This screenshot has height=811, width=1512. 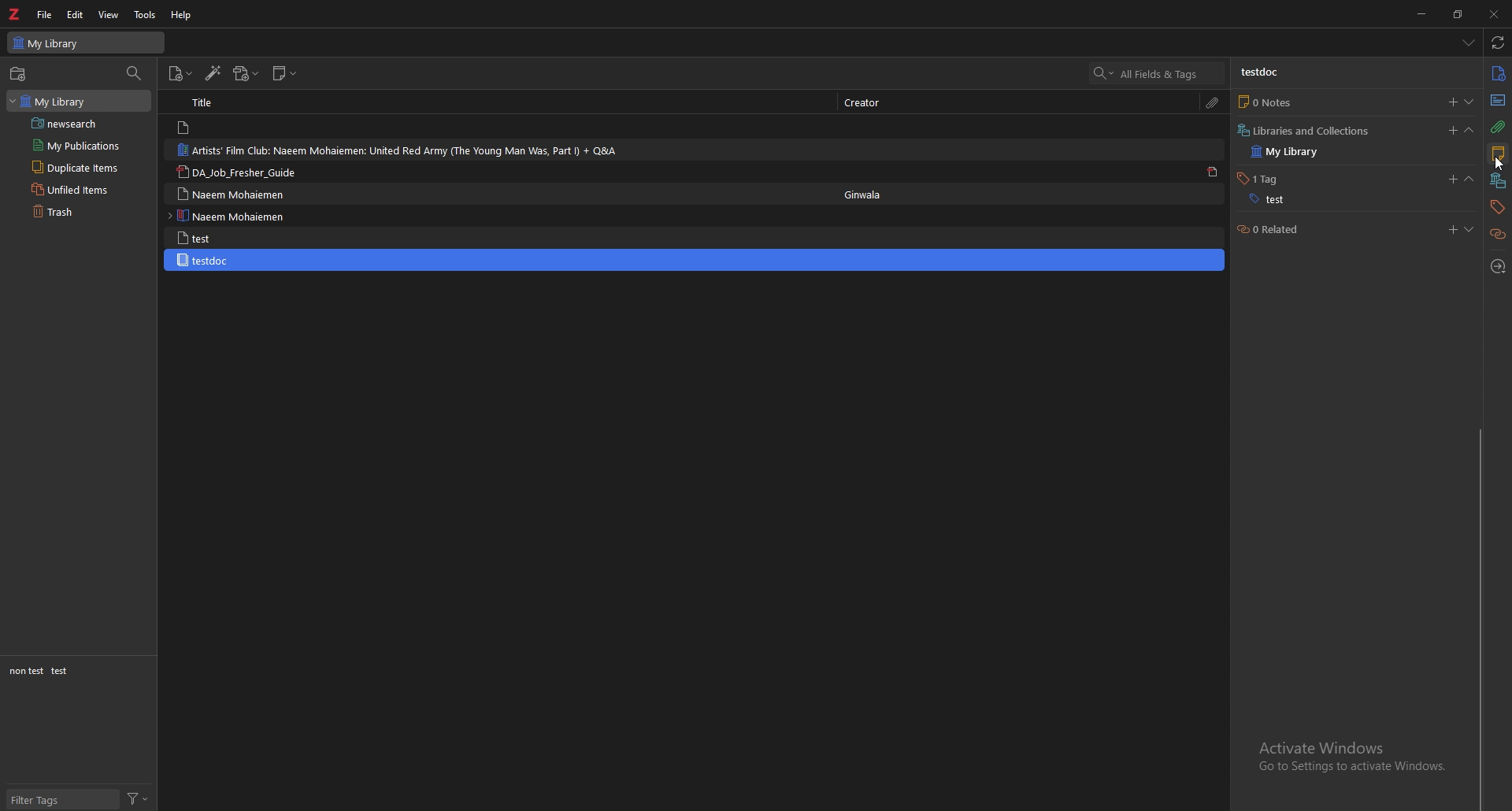 I want to click on search all fields & tags, so click(x=1158, y=73).